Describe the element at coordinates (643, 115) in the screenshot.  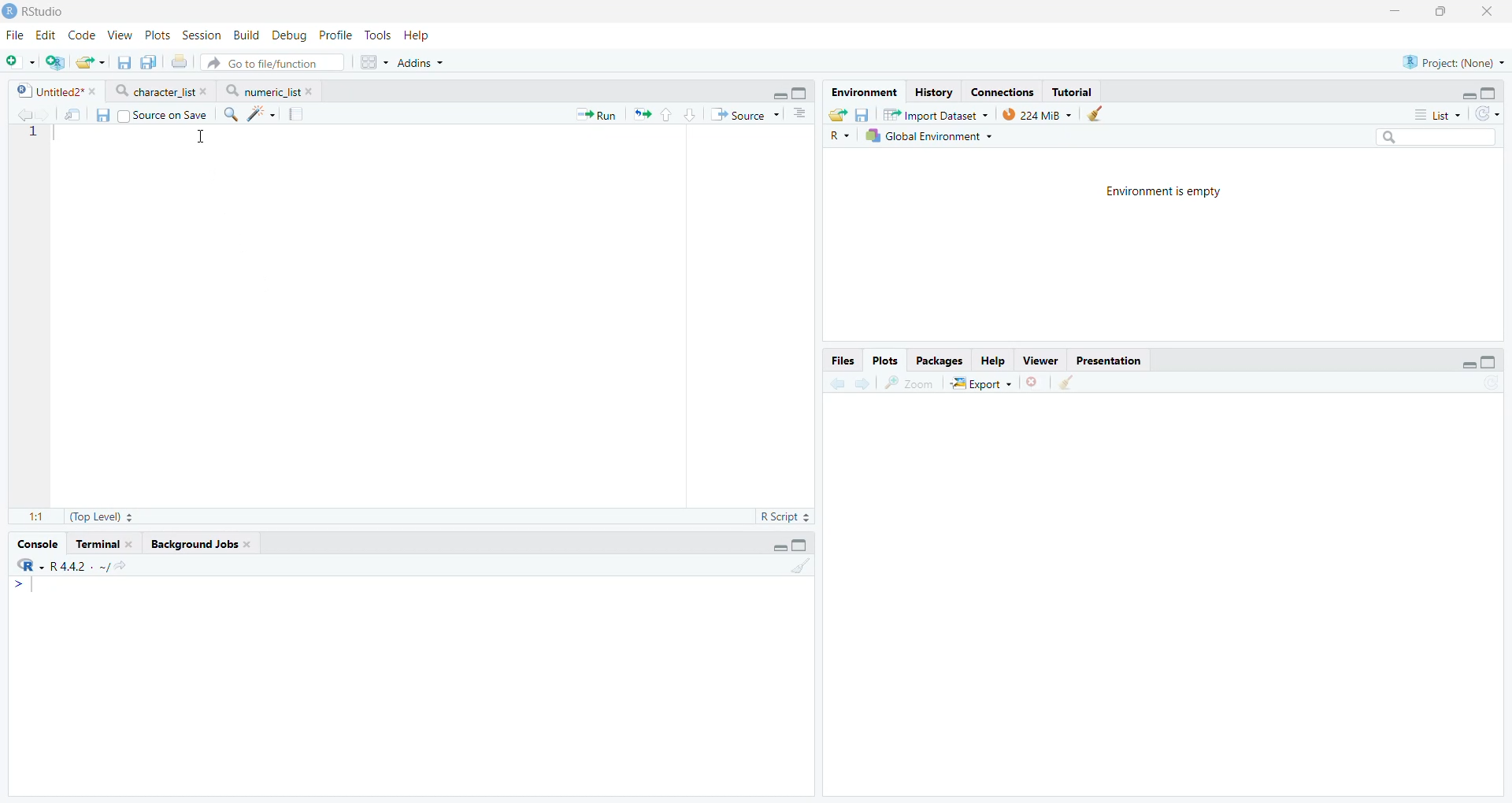
I see `Re-run previous code section` at that location.